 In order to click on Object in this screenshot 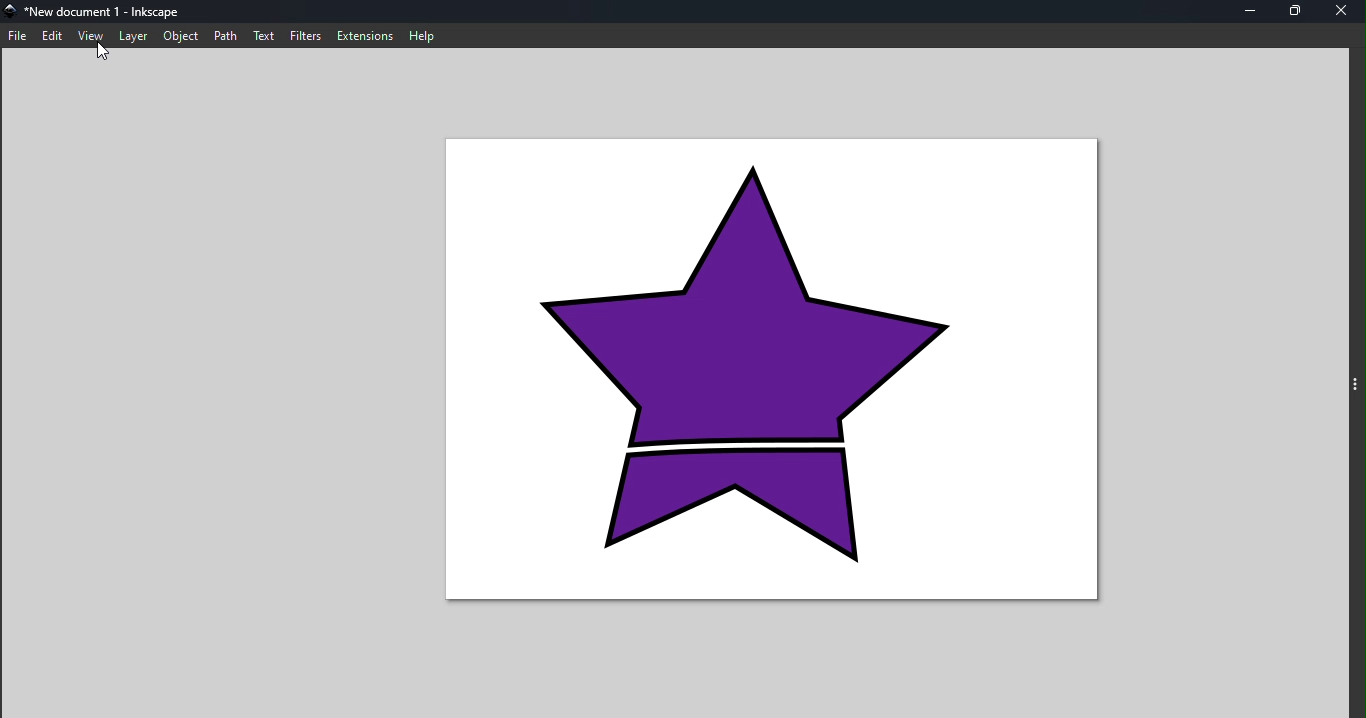, I will do `click(180, 38)`.